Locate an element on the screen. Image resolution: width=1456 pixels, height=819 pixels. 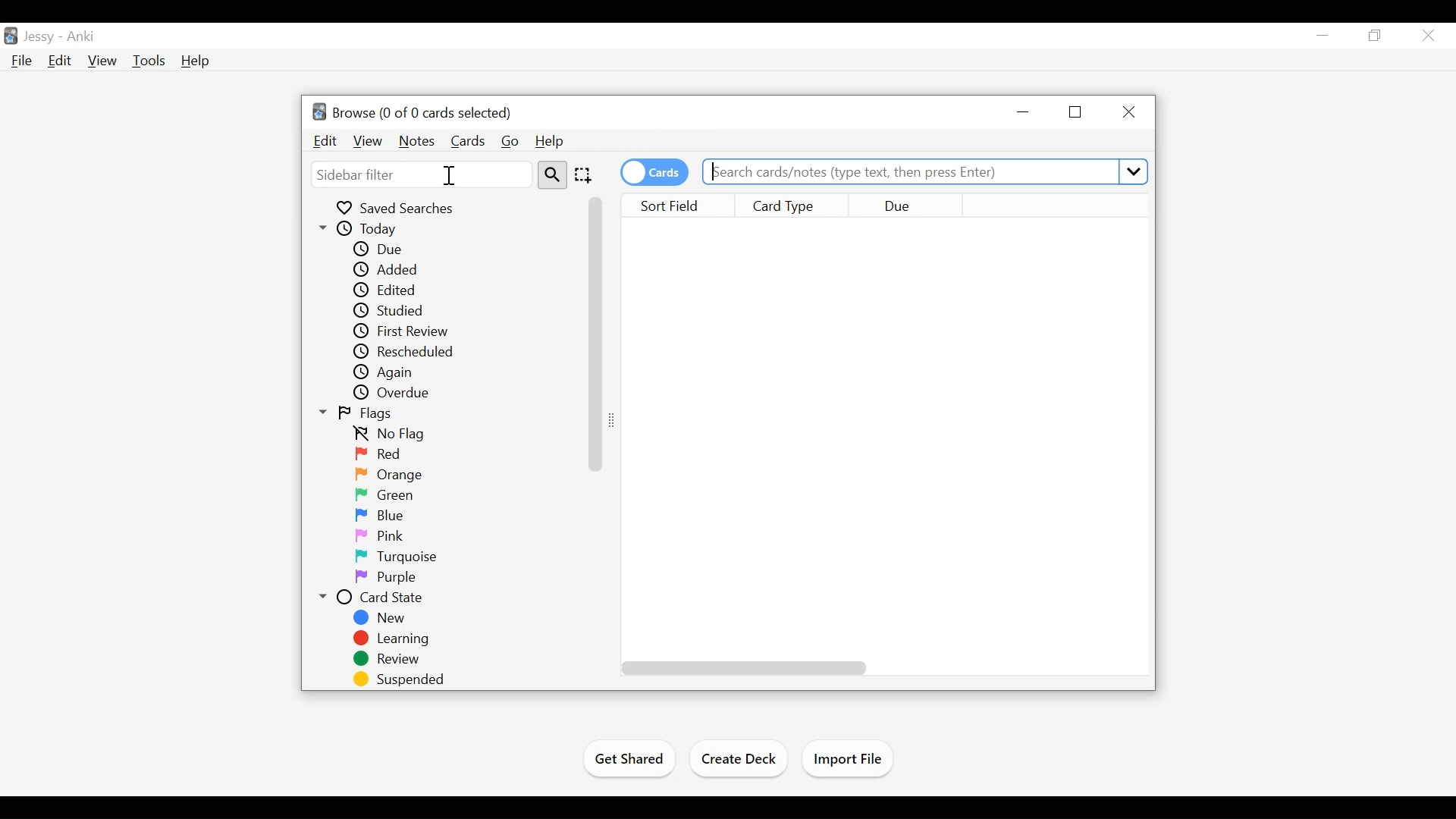
Due is located at coordinates (381, 250).